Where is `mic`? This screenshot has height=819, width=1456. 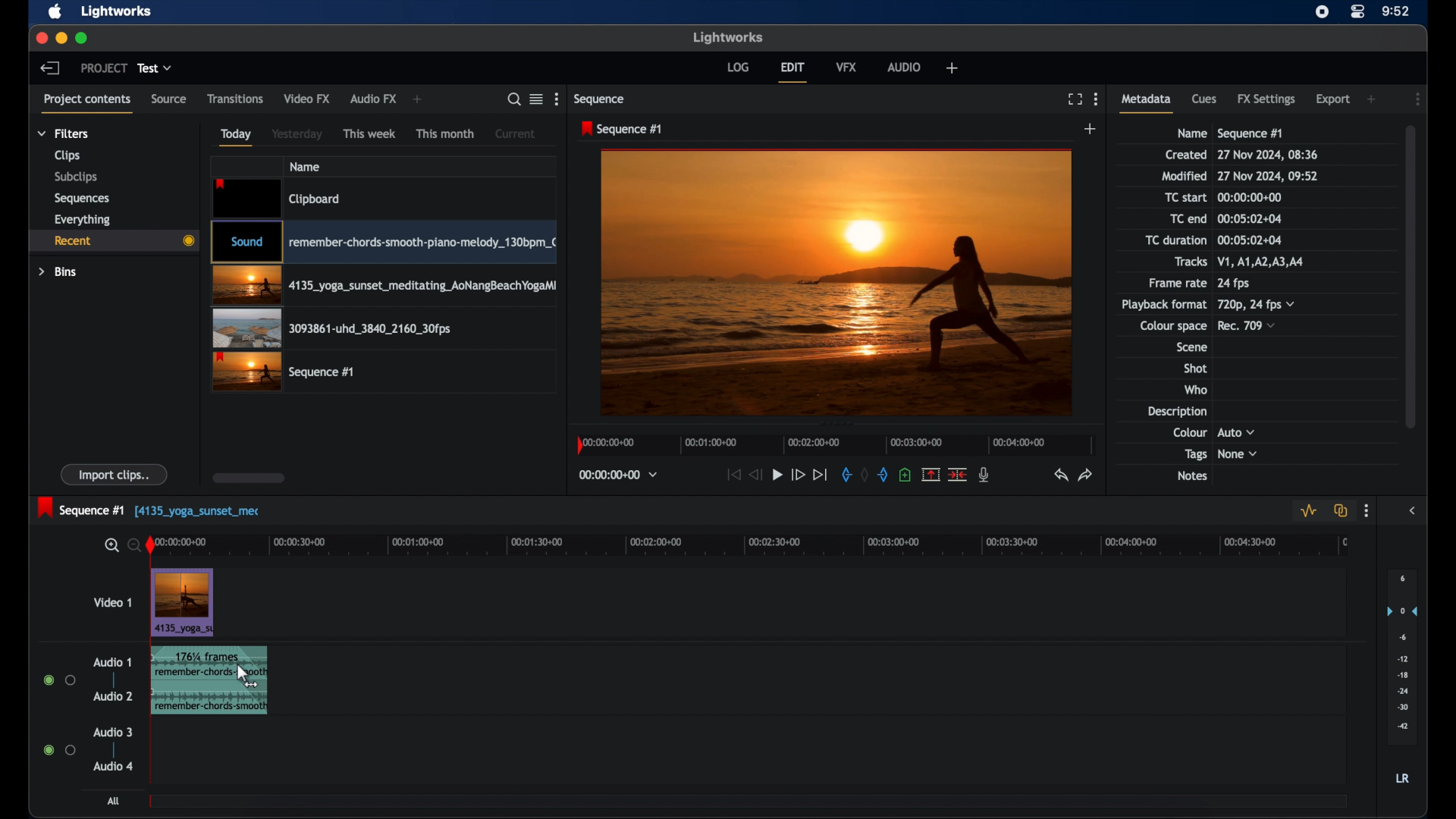
mic is located at coordinates (986, 475).